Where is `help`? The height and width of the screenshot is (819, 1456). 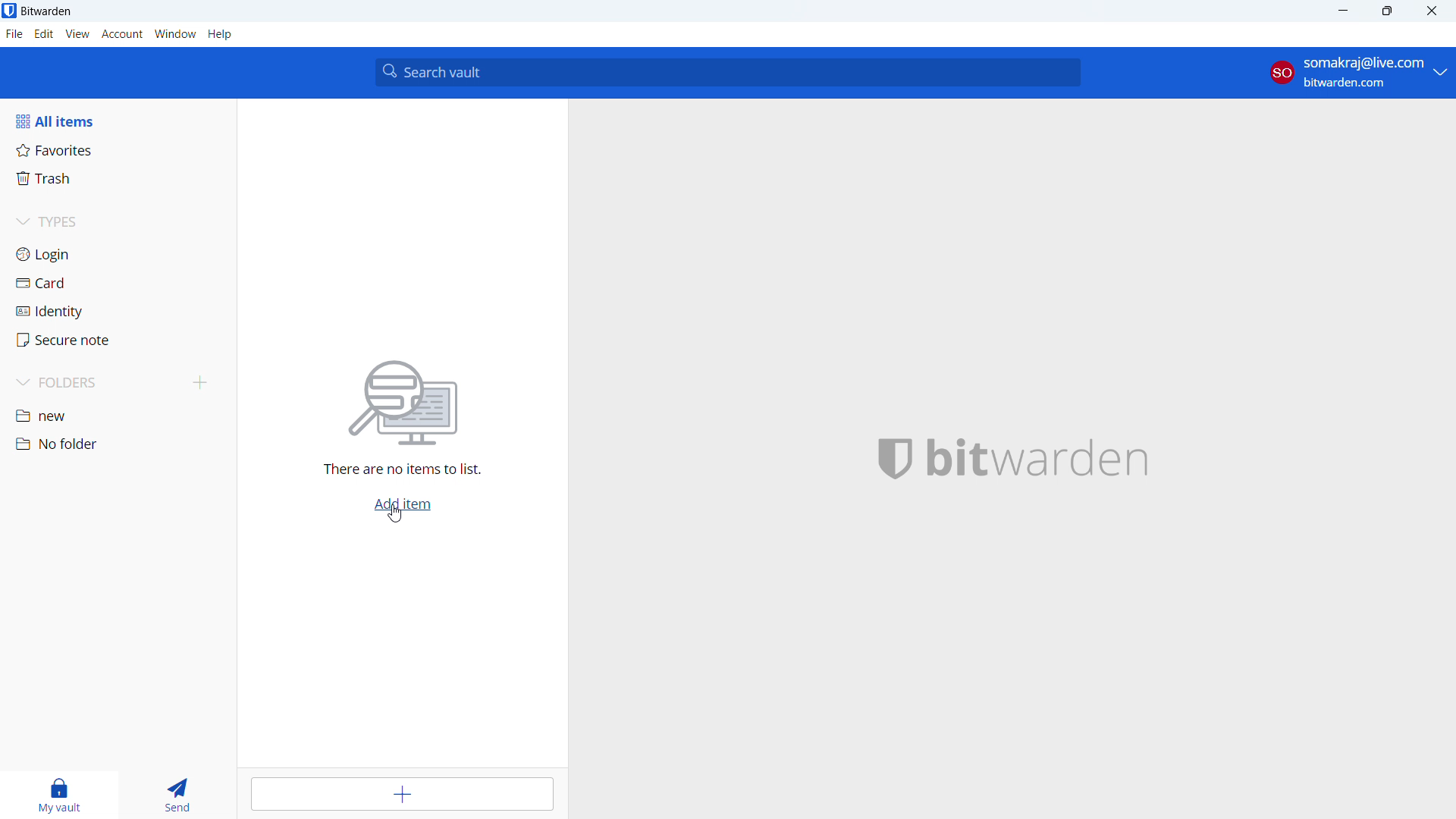 help is located at coordinates (220, 34).